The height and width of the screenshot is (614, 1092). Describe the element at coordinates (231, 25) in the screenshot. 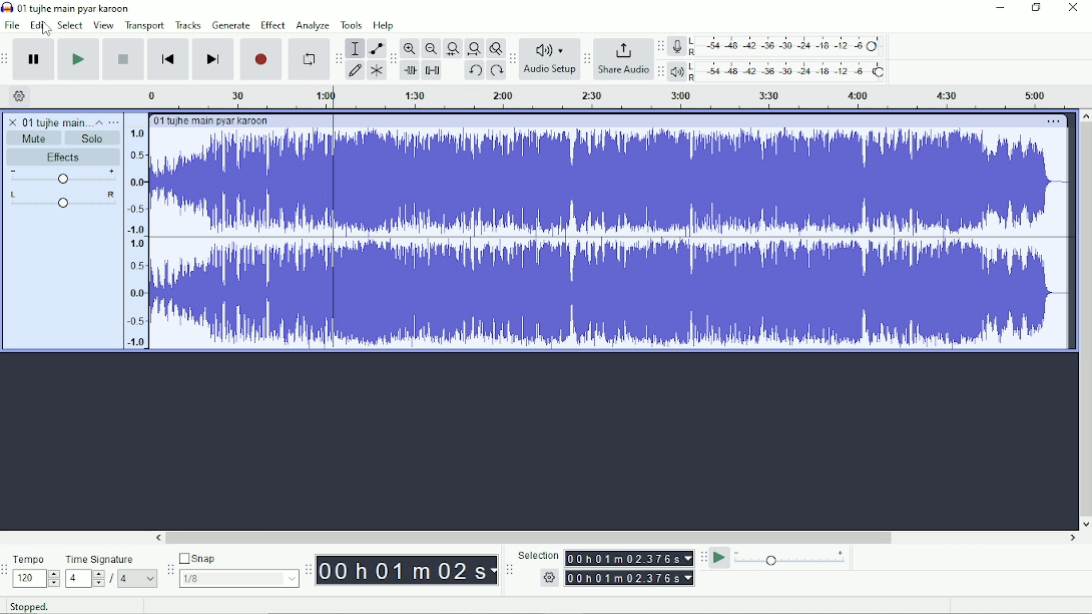

I see `Generate` at that location.